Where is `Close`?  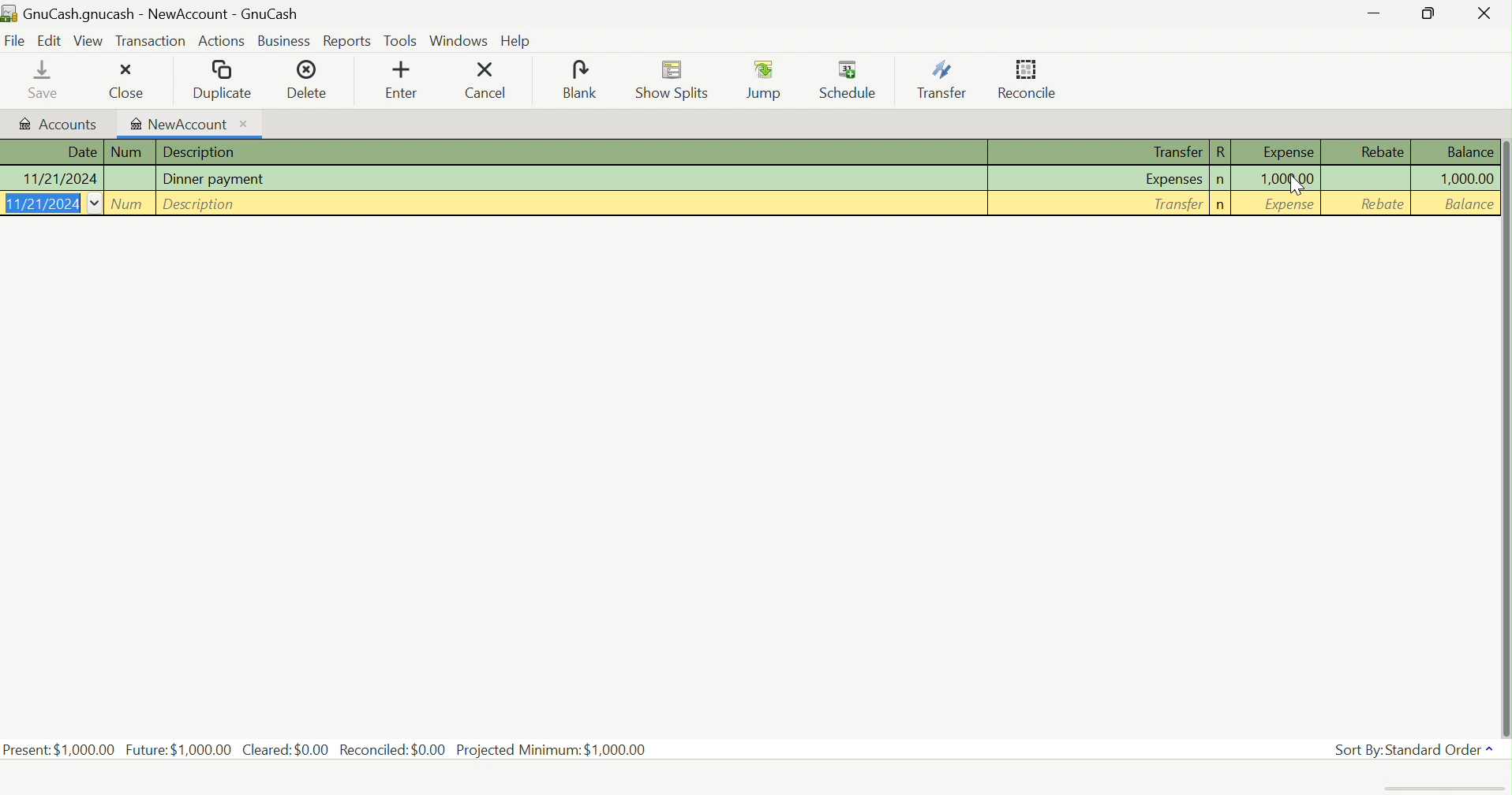
Close is located at coordinates (1481, 13).